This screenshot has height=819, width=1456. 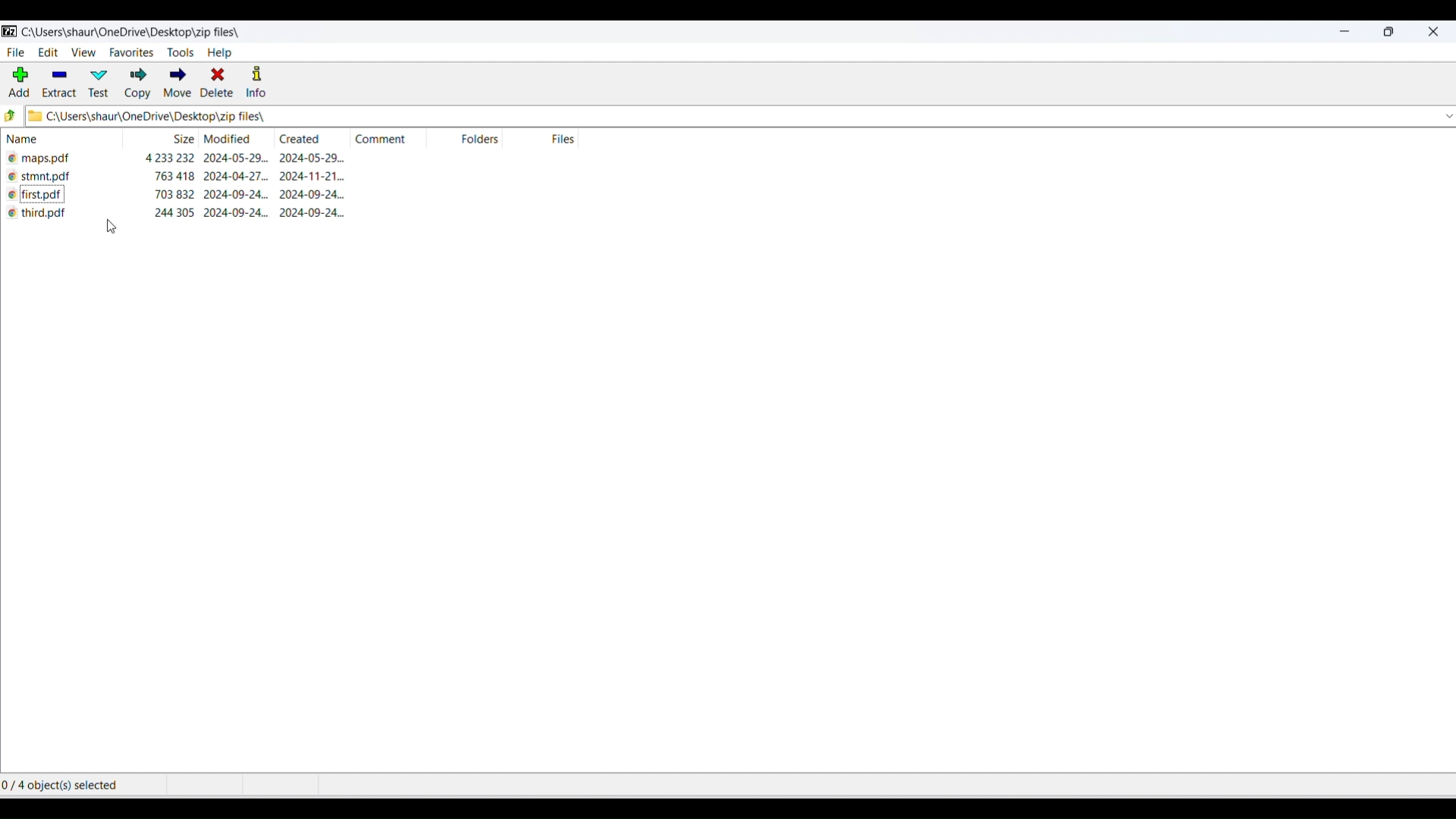 What do you see at coordinates (20, 83) in the screenshot?
I see `add` at bounding box center [20, 83].